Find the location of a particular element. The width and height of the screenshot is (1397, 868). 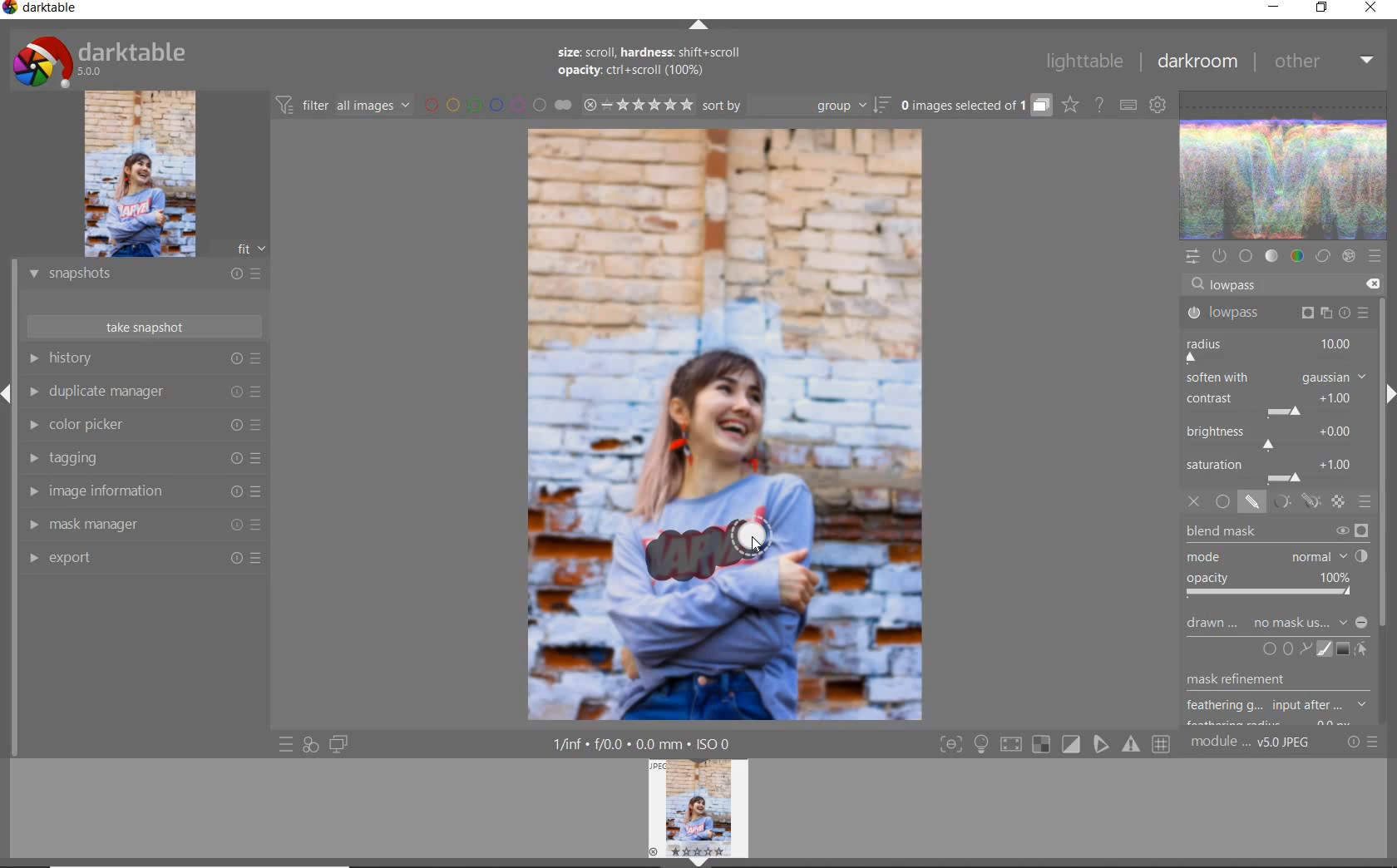

display a second darkroom image window is located at coordinates (339, 743).